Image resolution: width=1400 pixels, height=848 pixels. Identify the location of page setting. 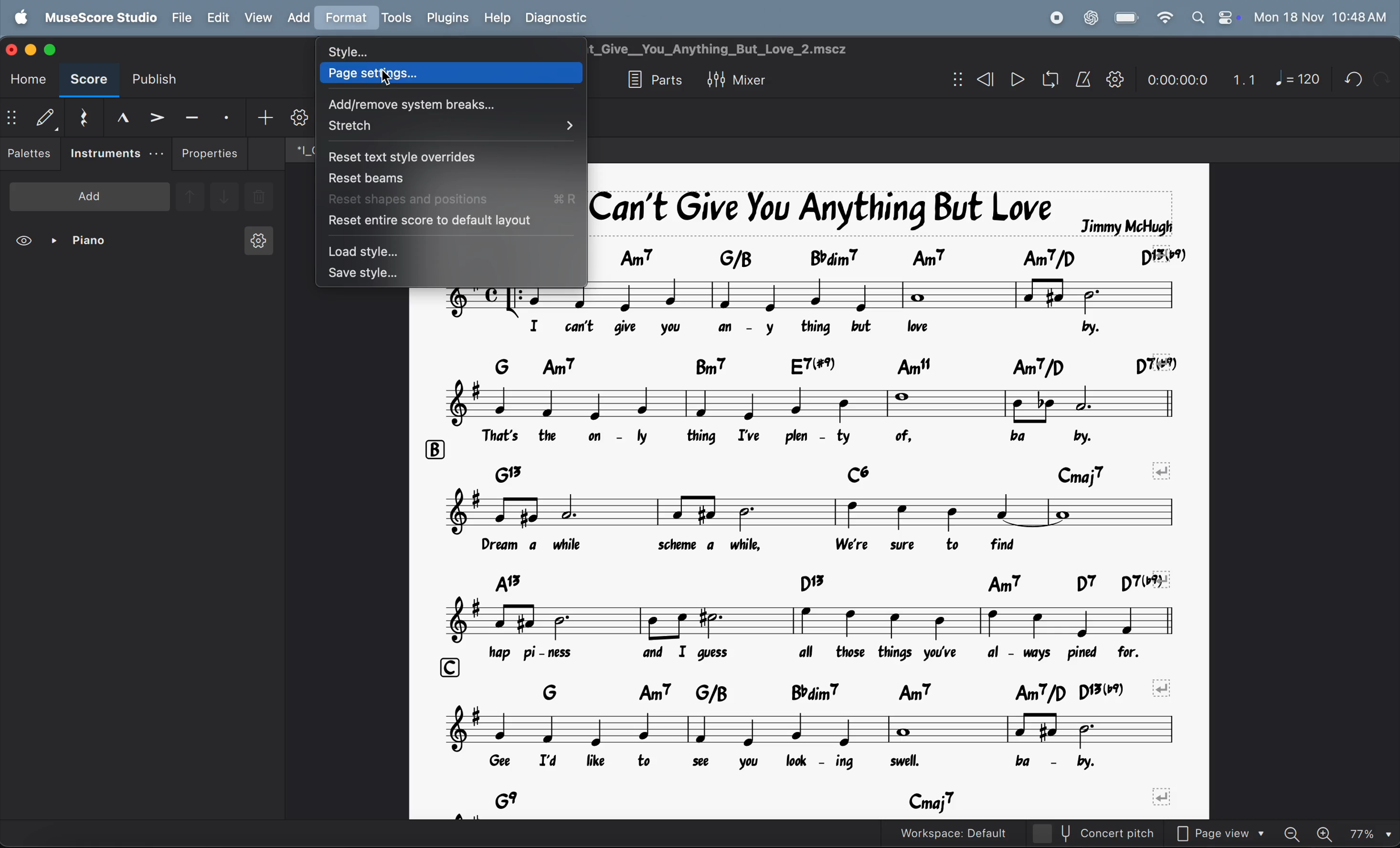
(457, 73).